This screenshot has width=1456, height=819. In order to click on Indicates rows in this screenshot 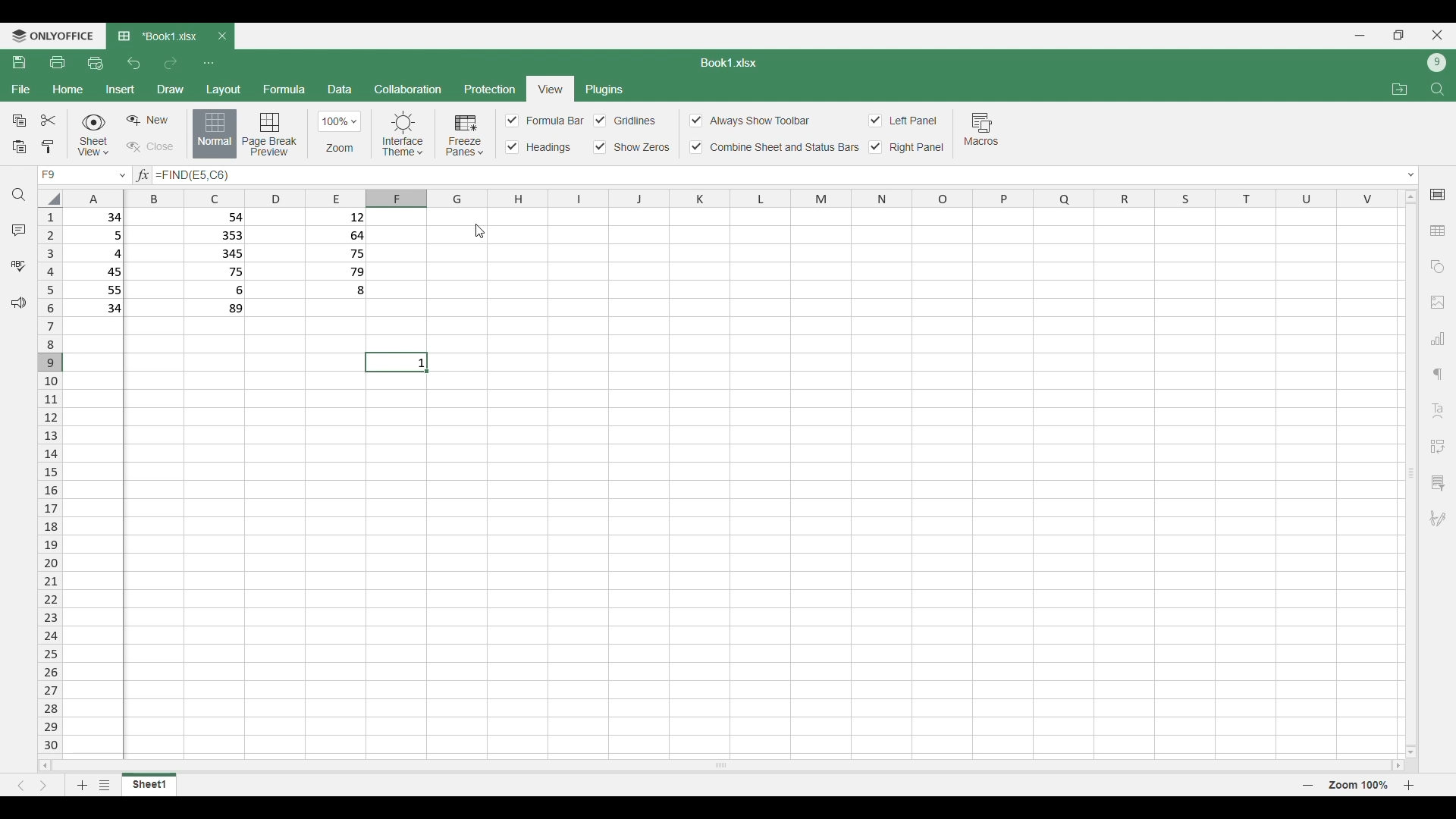, I will do `click(52, 482)`.